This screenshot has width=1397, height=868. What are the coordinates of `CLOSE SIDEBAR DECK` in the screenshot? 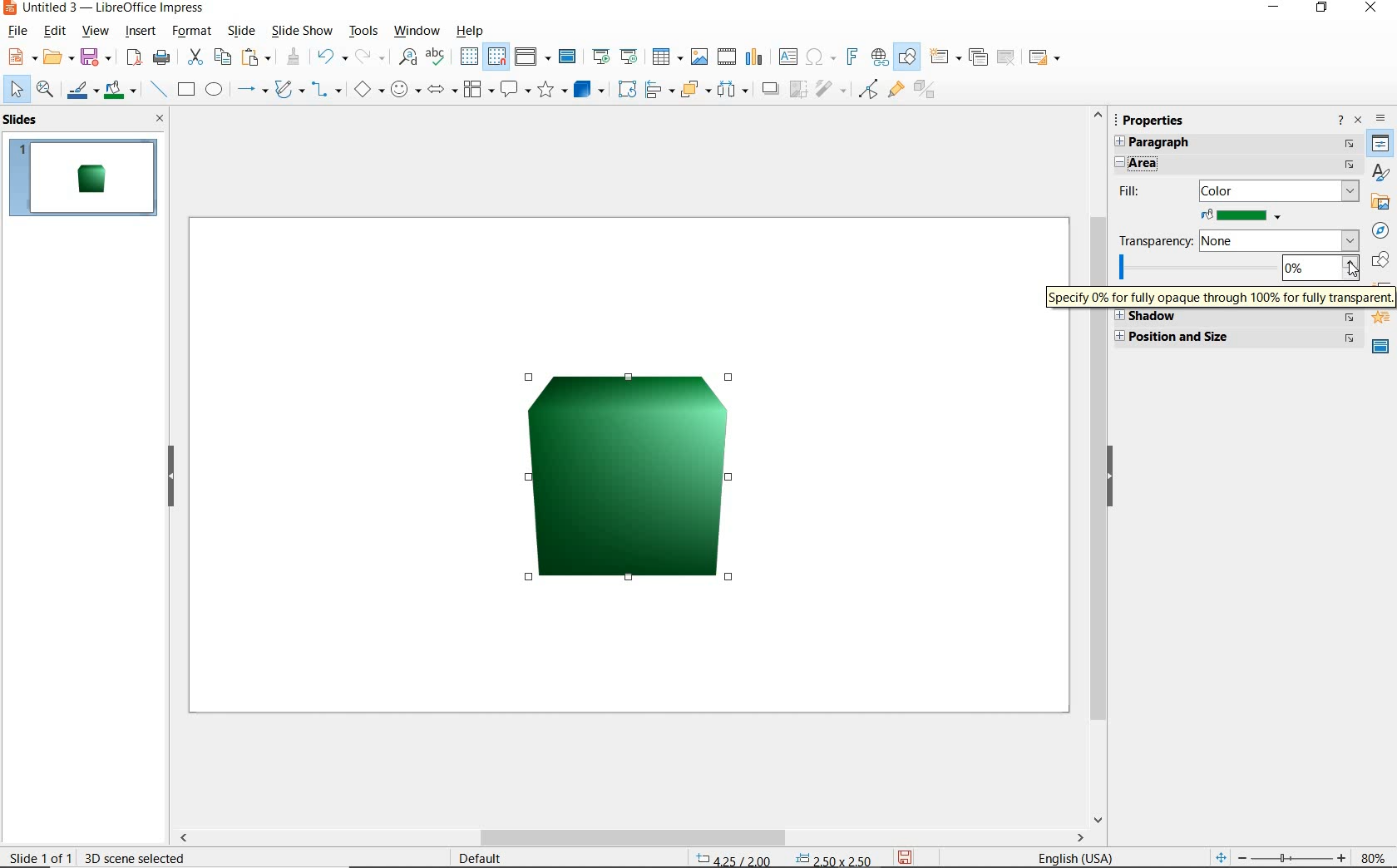 It's located at (1358, 121).